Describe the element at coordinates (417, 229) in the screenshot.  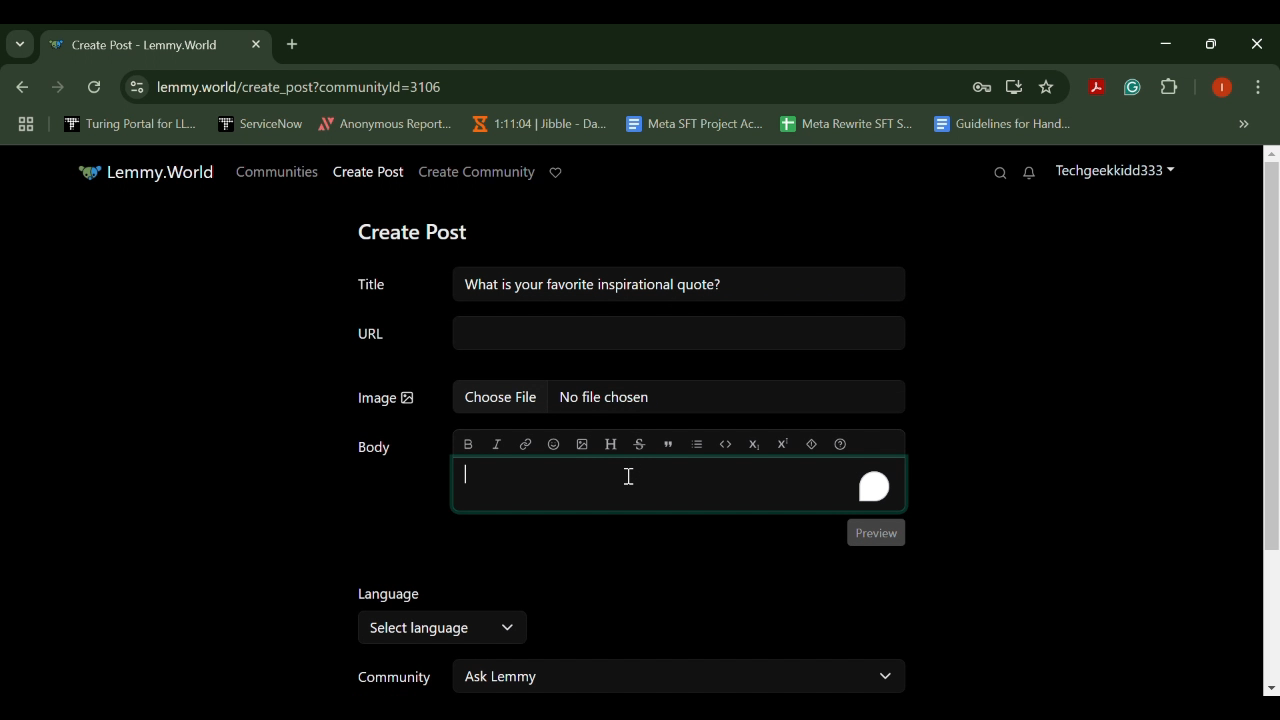
I see `Create Post` at that location.